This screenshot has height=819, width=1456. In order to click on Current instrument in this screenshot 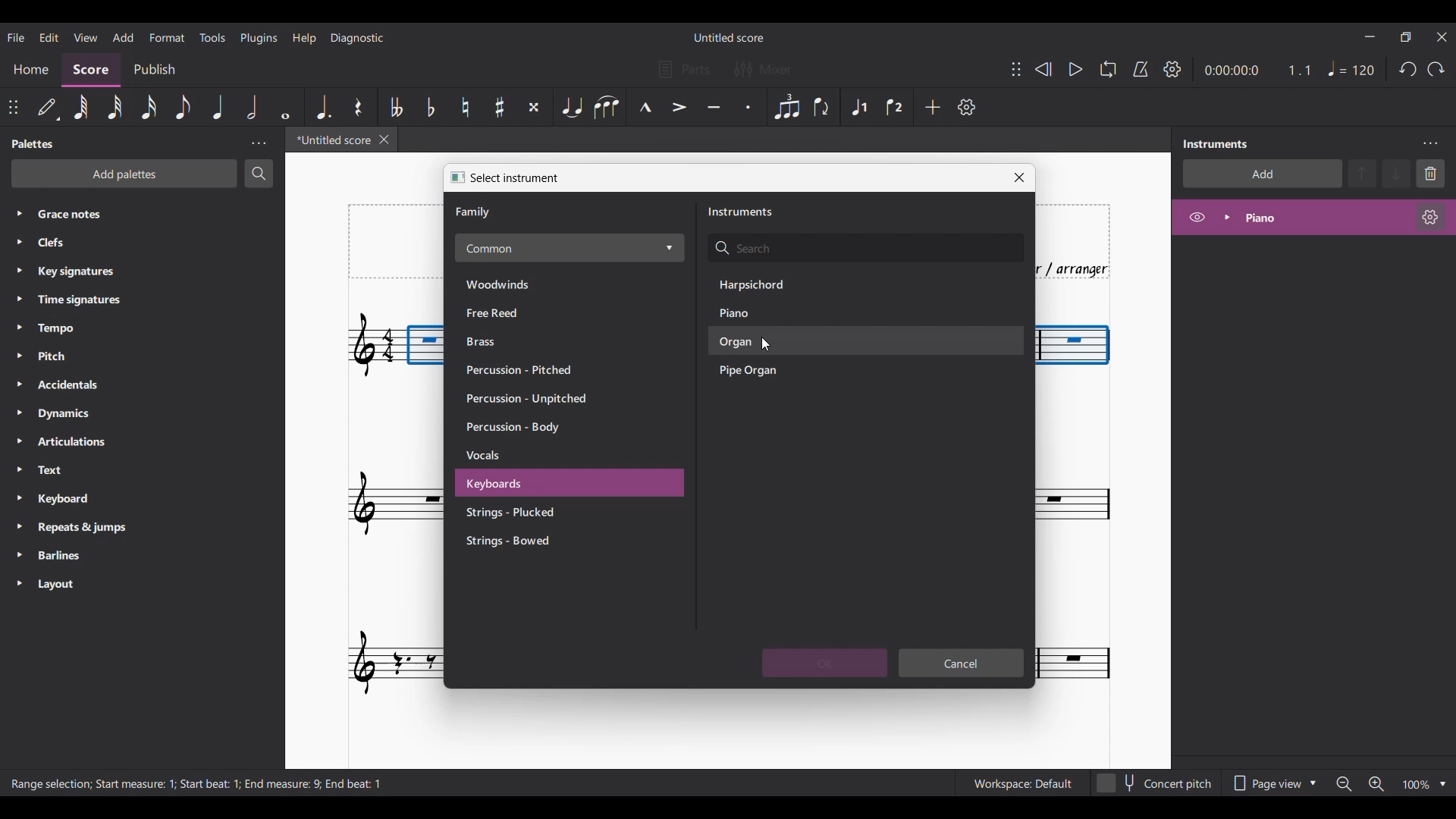, I will do `click(1321, 218)`.